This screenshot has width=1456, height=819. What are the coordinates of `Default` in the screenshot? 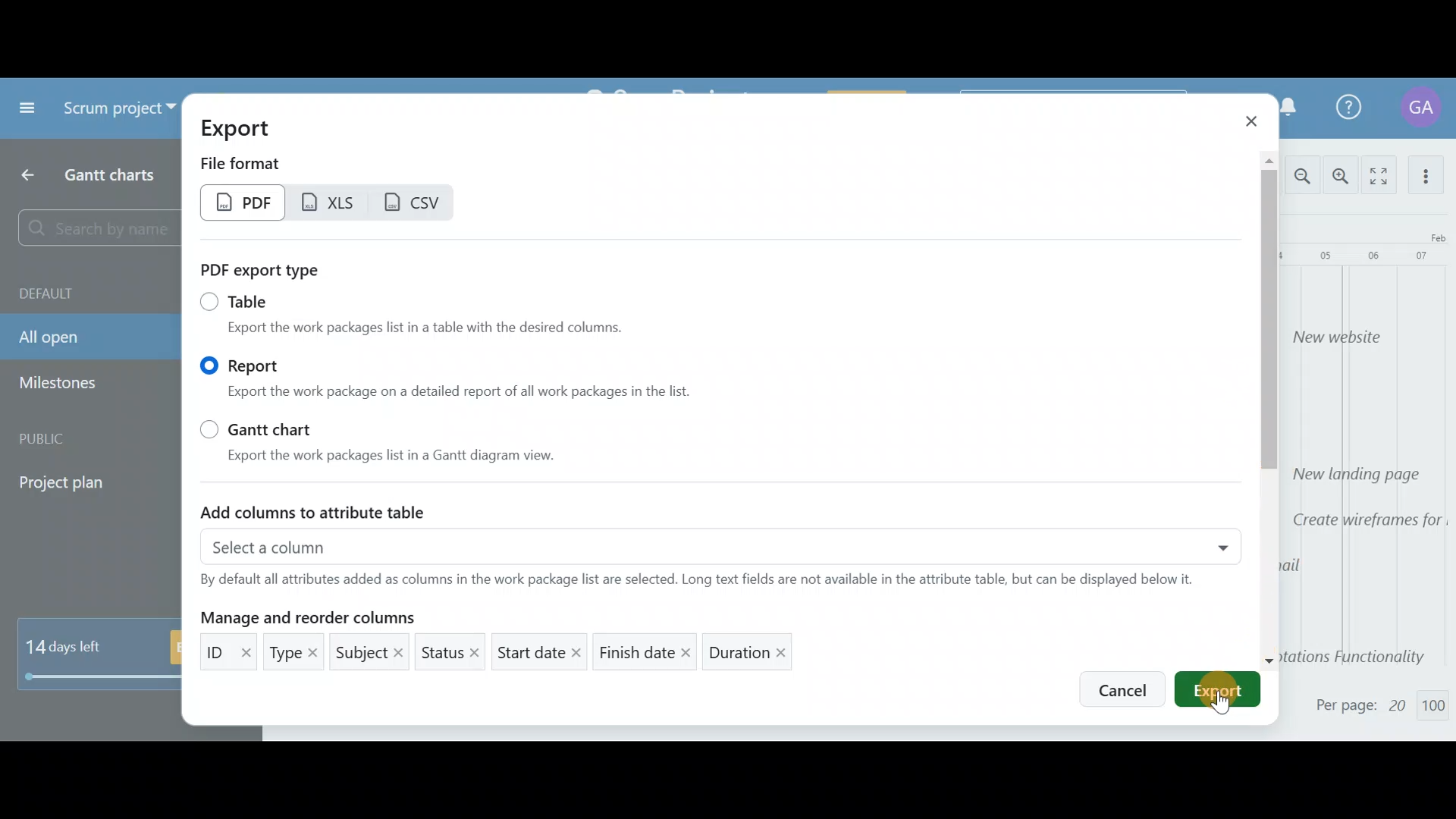 It's located at (90, 297).